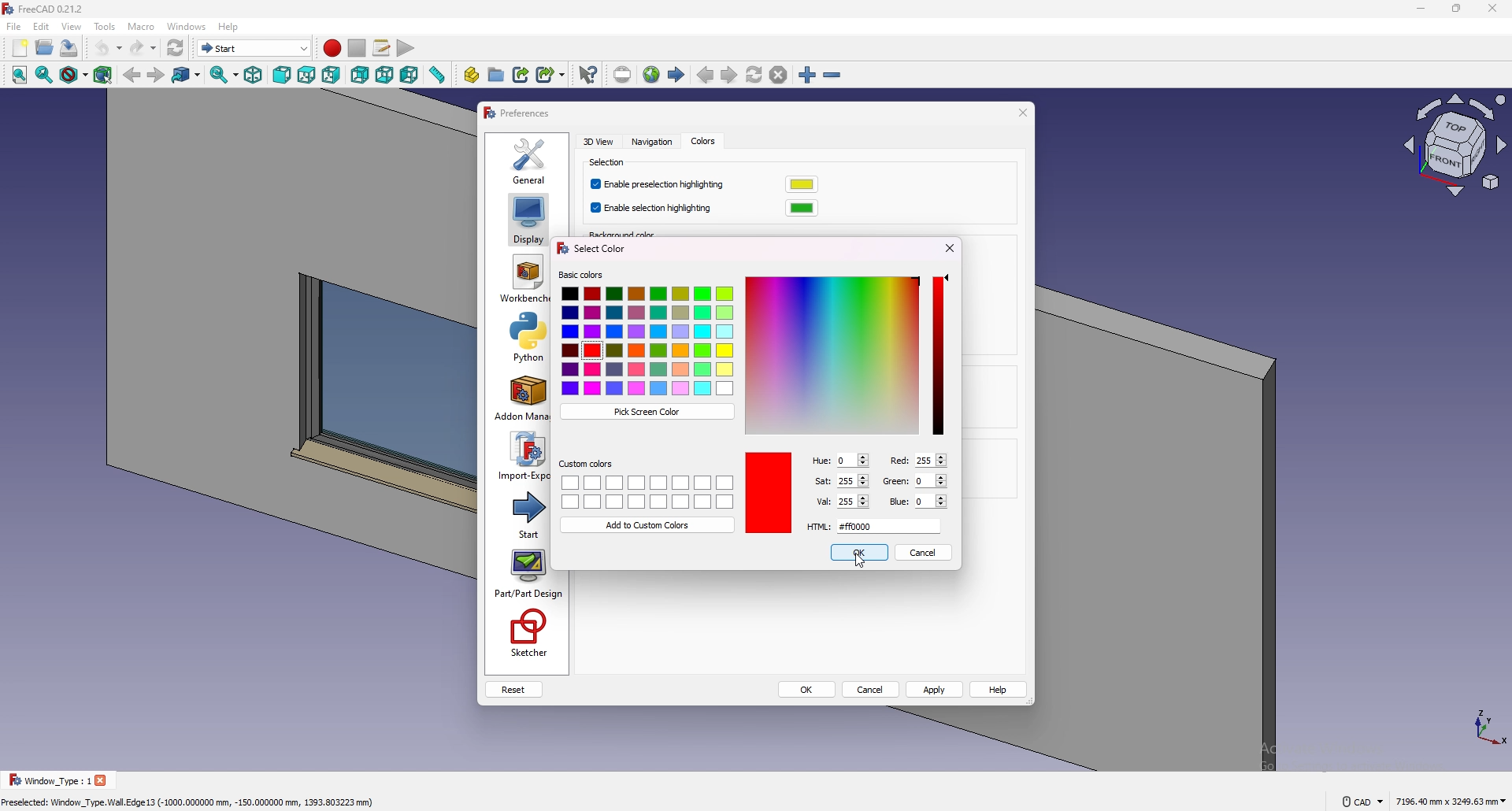  Describe the element at coordinates (1457, 9) in the screenshot. I see `resize` at that location.